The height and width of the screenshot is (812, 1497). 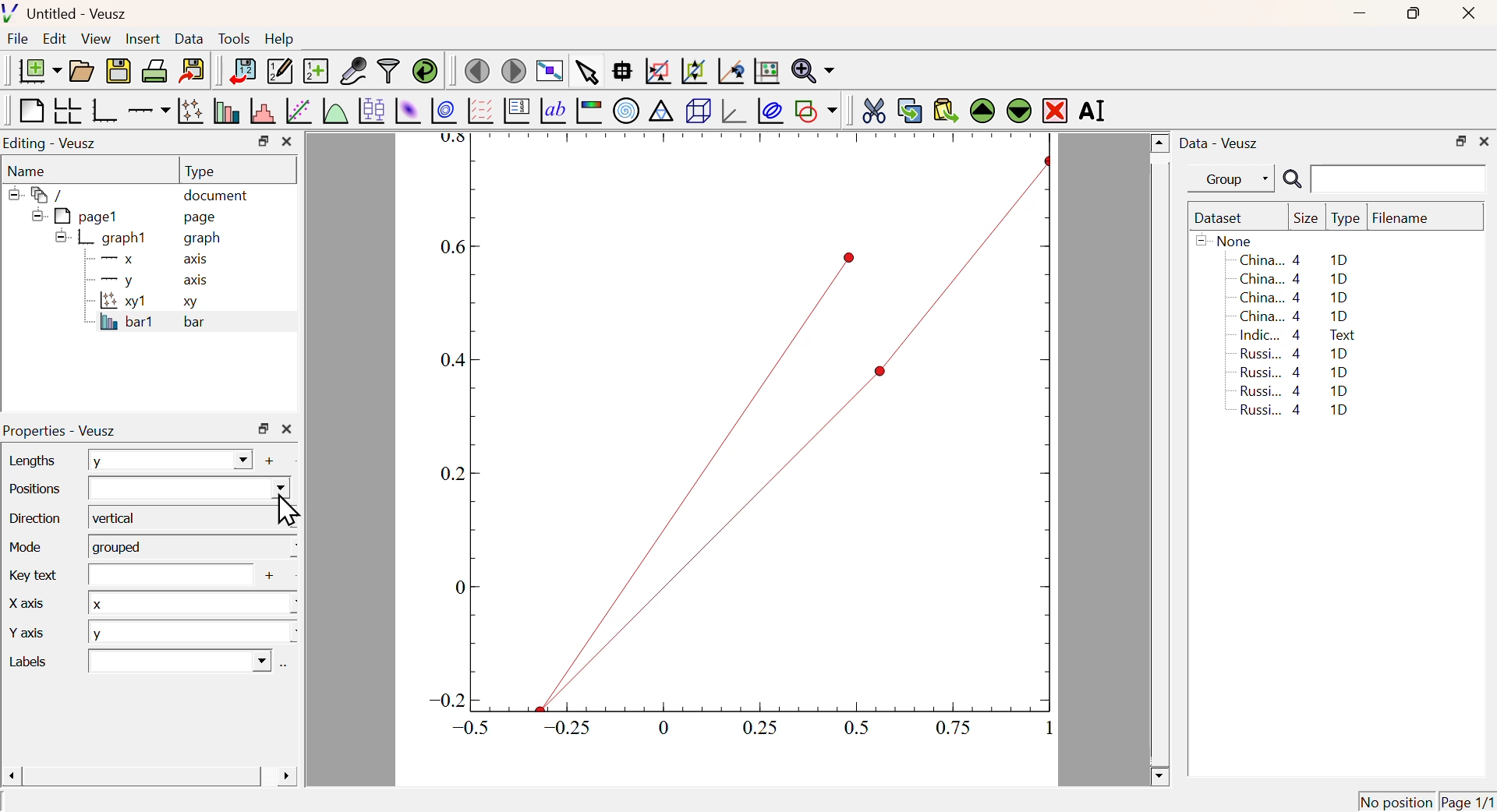 What do you see at coordinates (354, 69) in the screenshot?
I see `Capture Remote Data` at bounding box center [354, 69].